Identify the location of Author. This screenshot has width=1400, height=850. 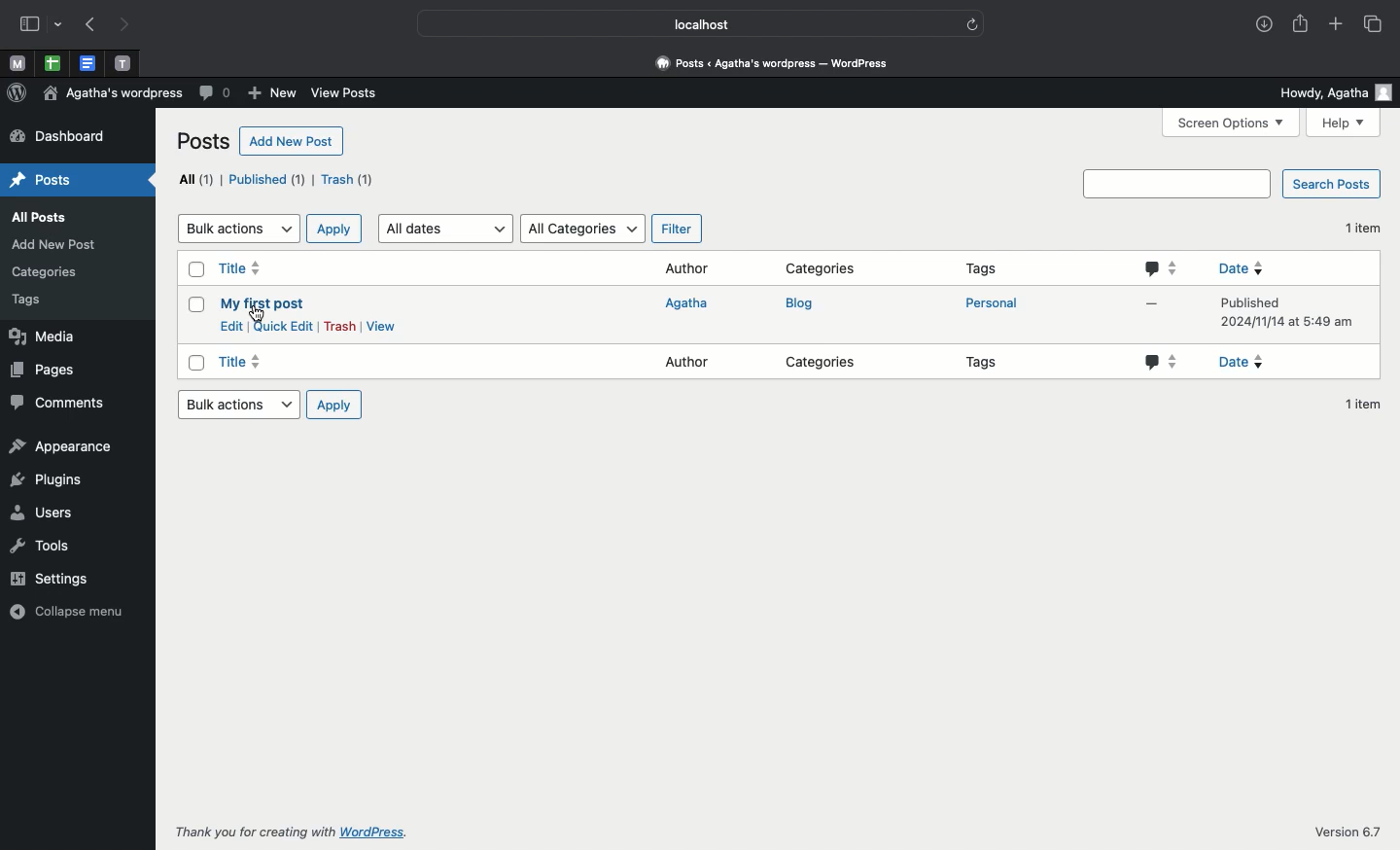
(687, 270).